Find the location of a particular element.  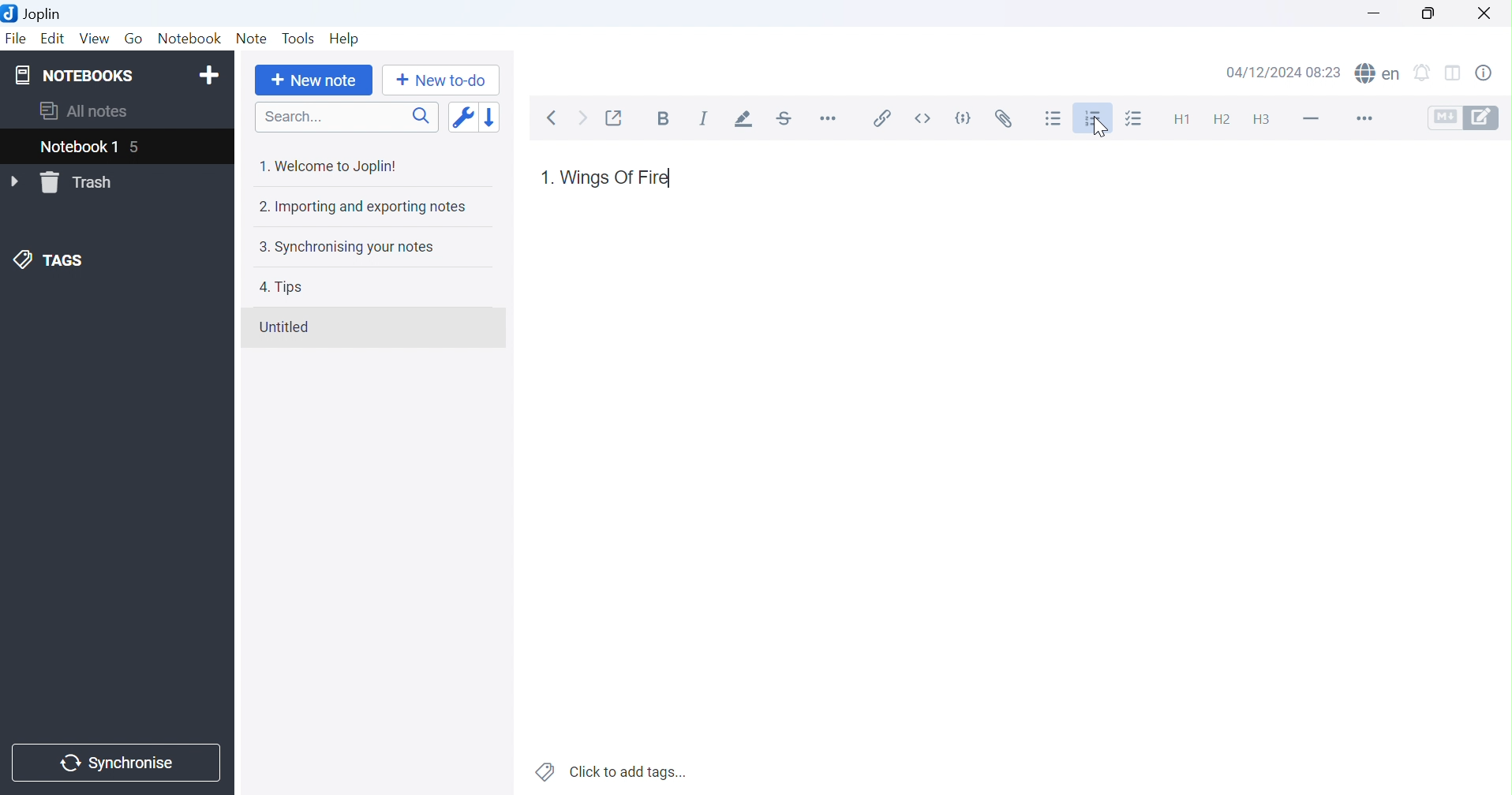

Insert / edit link is located at coordinates (879, 118).